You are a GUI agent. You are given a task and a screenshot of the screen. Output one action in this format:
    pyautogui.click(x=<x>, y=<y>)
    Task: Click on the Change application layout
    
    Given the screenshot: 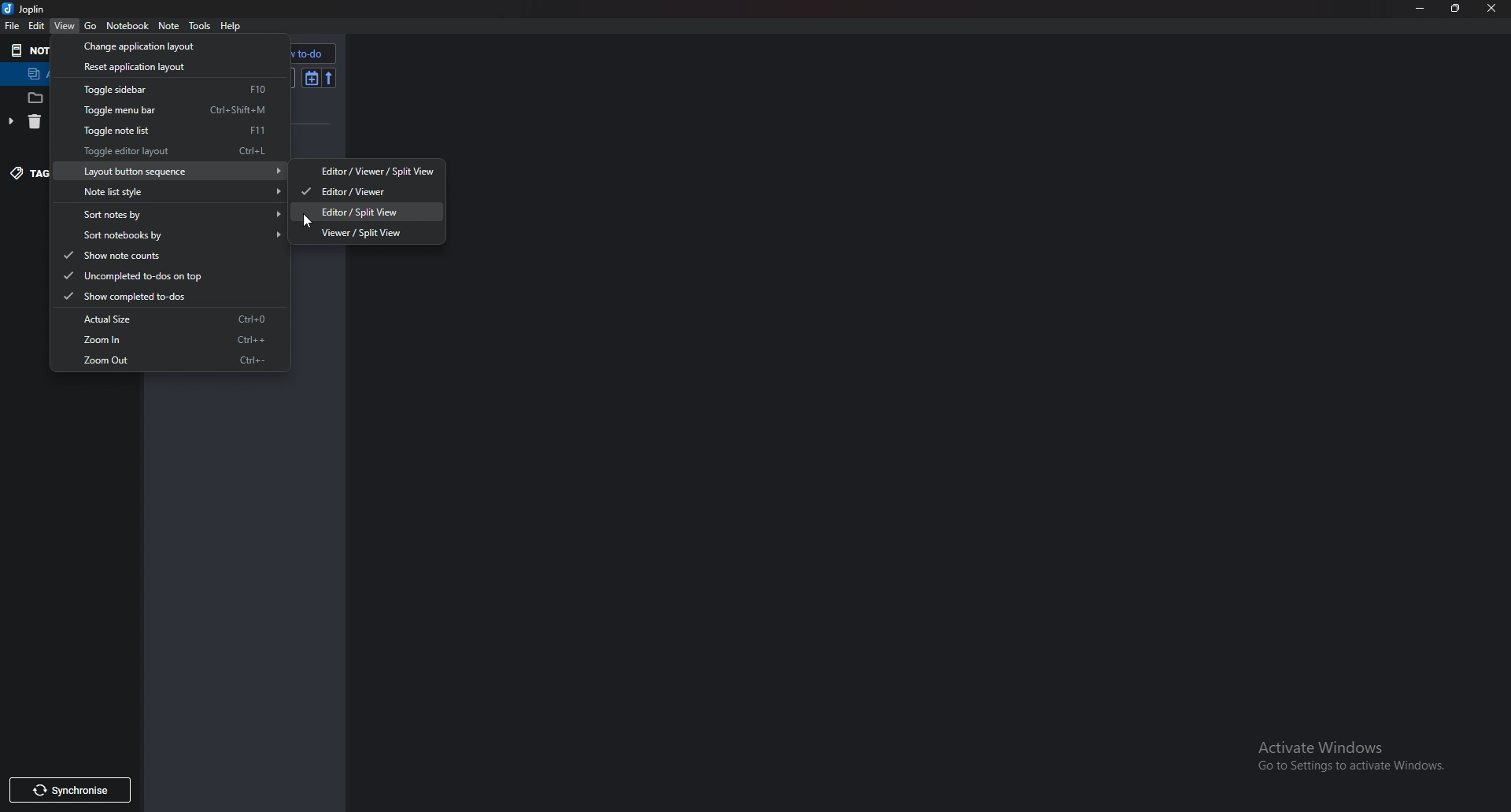 What is the action you would take?
    pyautogui.click(x=161, y=44)
    